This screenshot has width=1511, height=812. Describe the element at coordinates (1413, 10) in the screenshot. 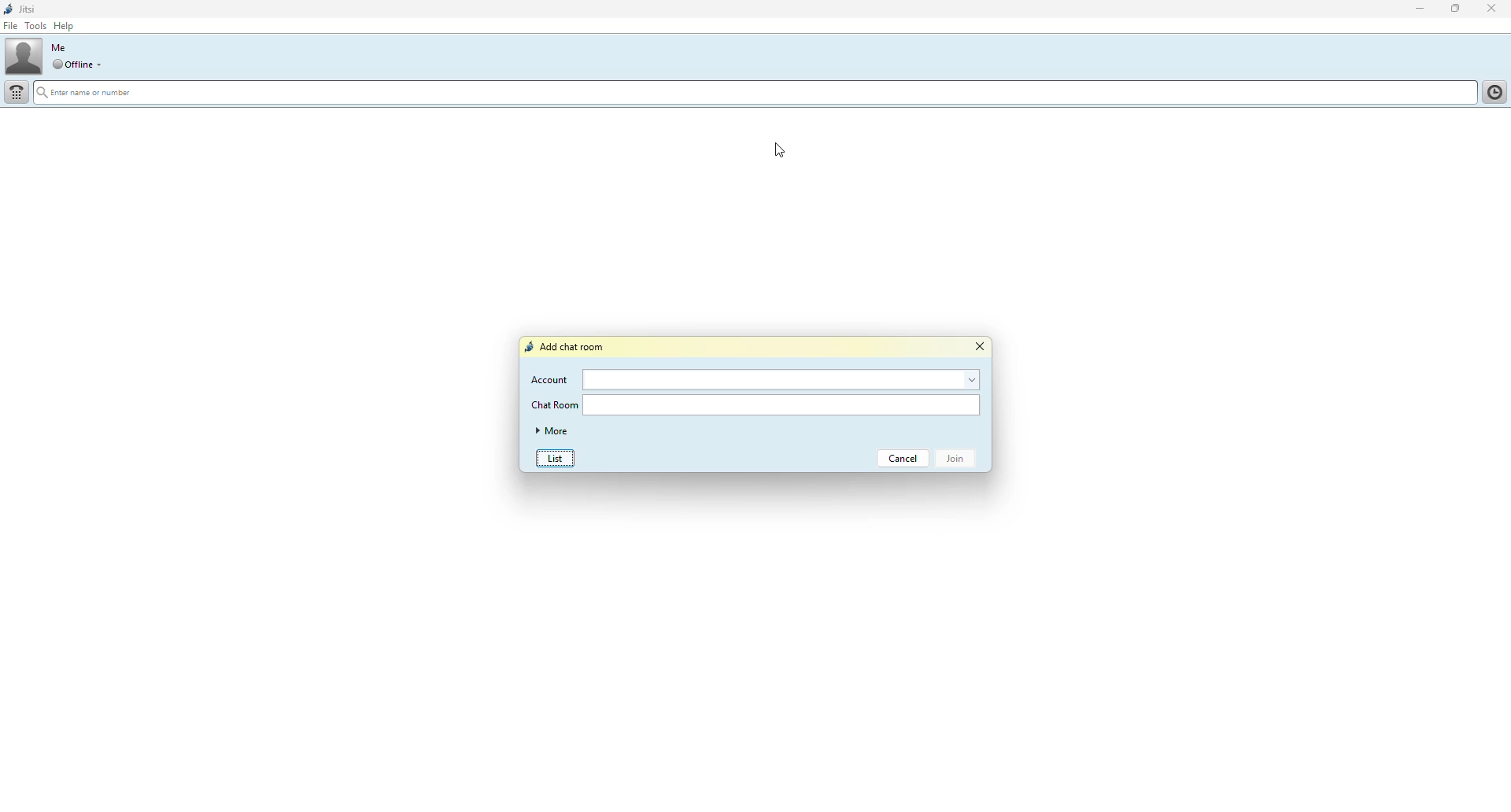

I see `minimize` at that location.